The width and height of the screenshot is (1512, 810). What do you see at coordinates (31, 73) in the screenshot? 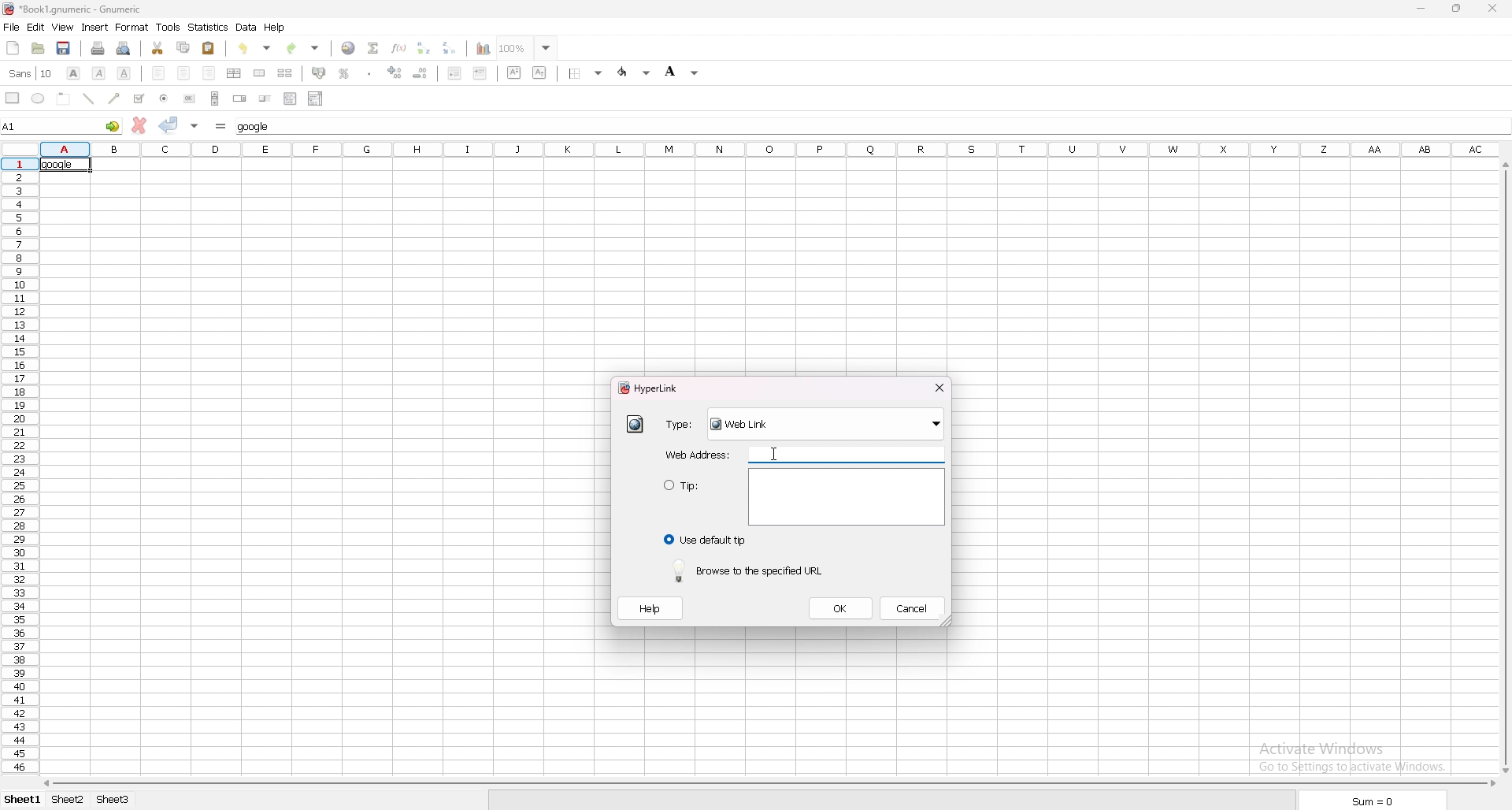
I see `font` at bounding box center [31, 73].